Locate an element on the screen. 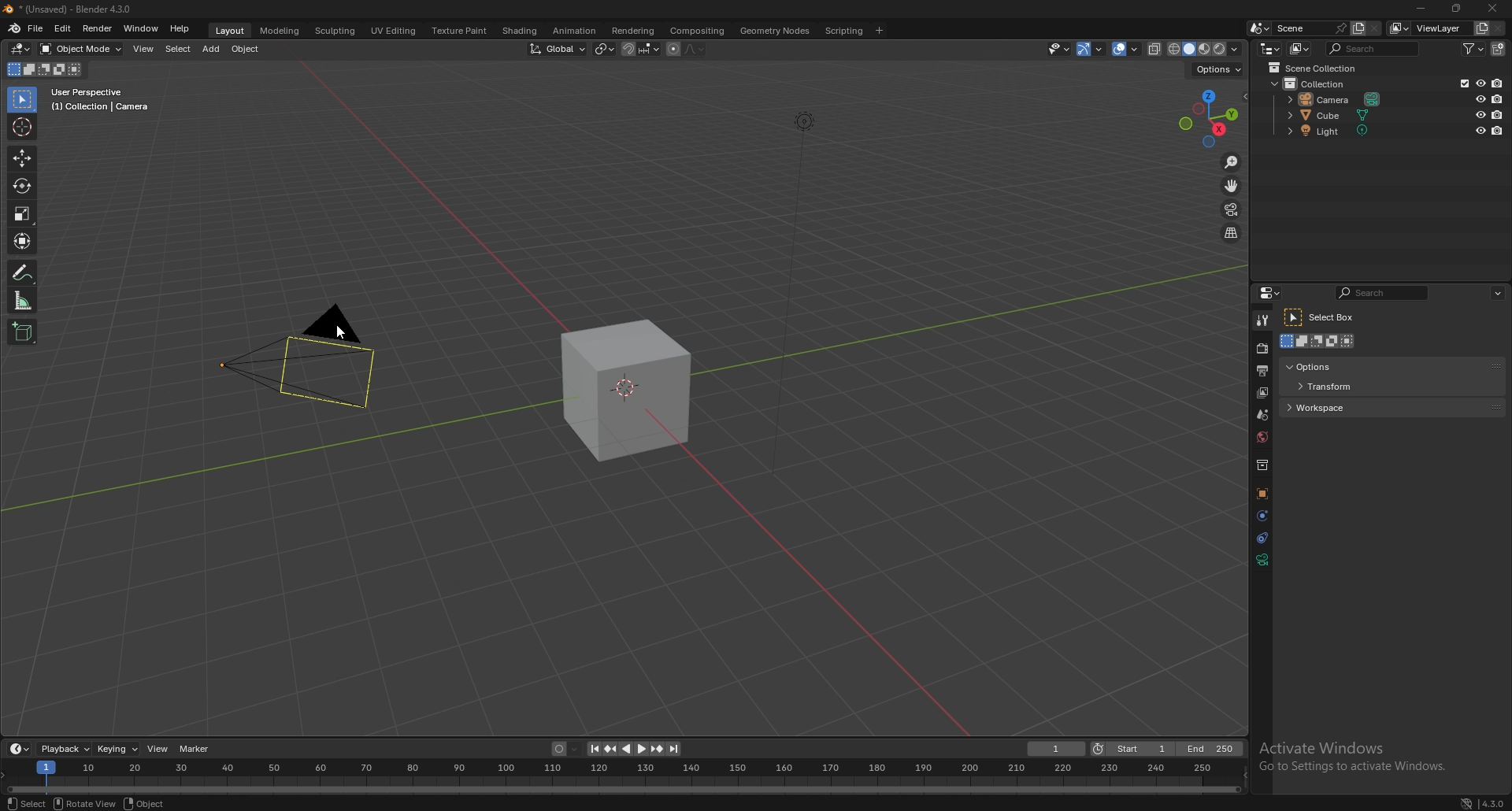 Image resolution: width=1512 pixels, height=811 pixels. rendering is located at coordinates (633, 31).